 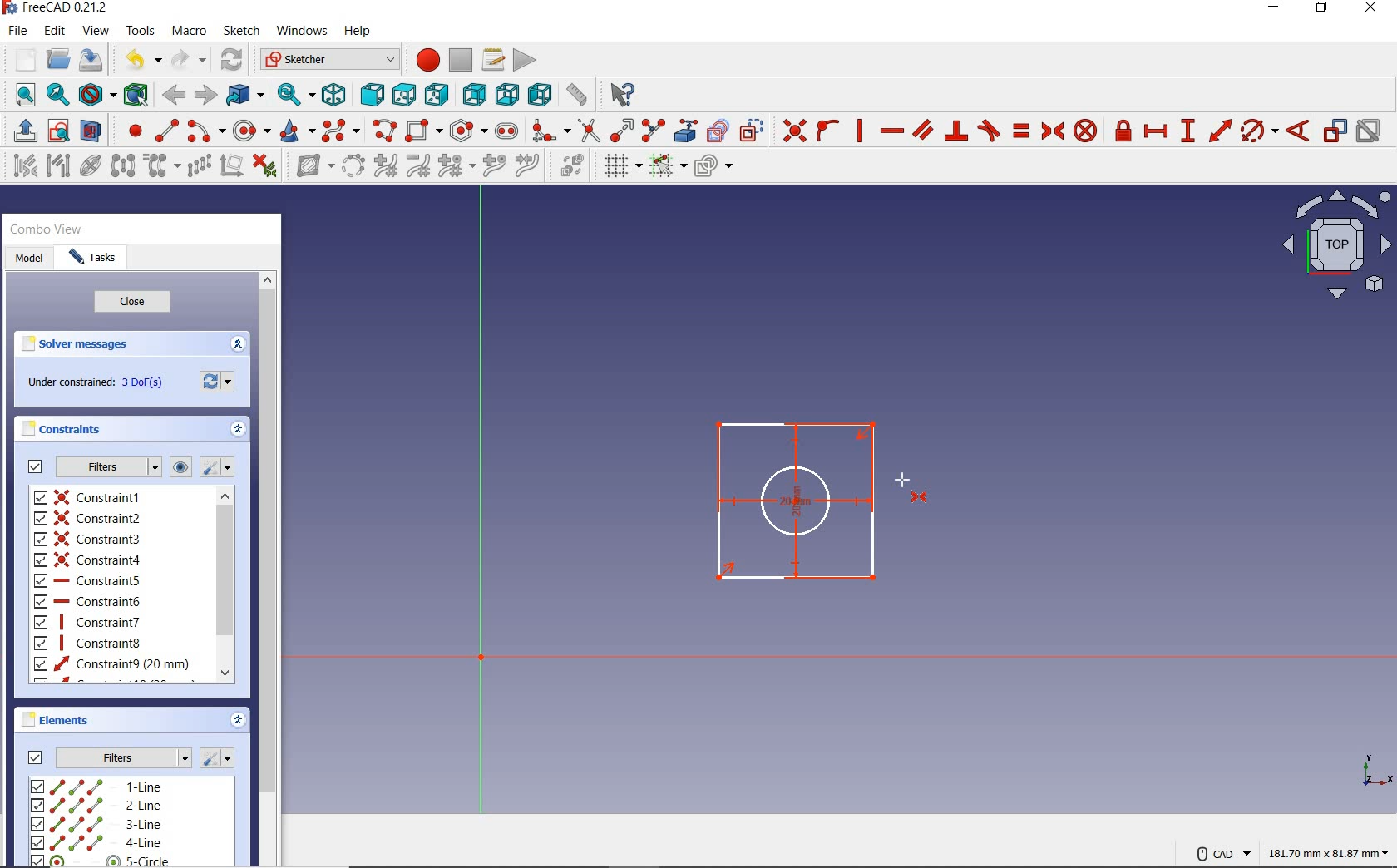 What do you see at coordinates (923, 129) in the screenshot?
I see `constrain parallel` at bounding box center [923, 129].